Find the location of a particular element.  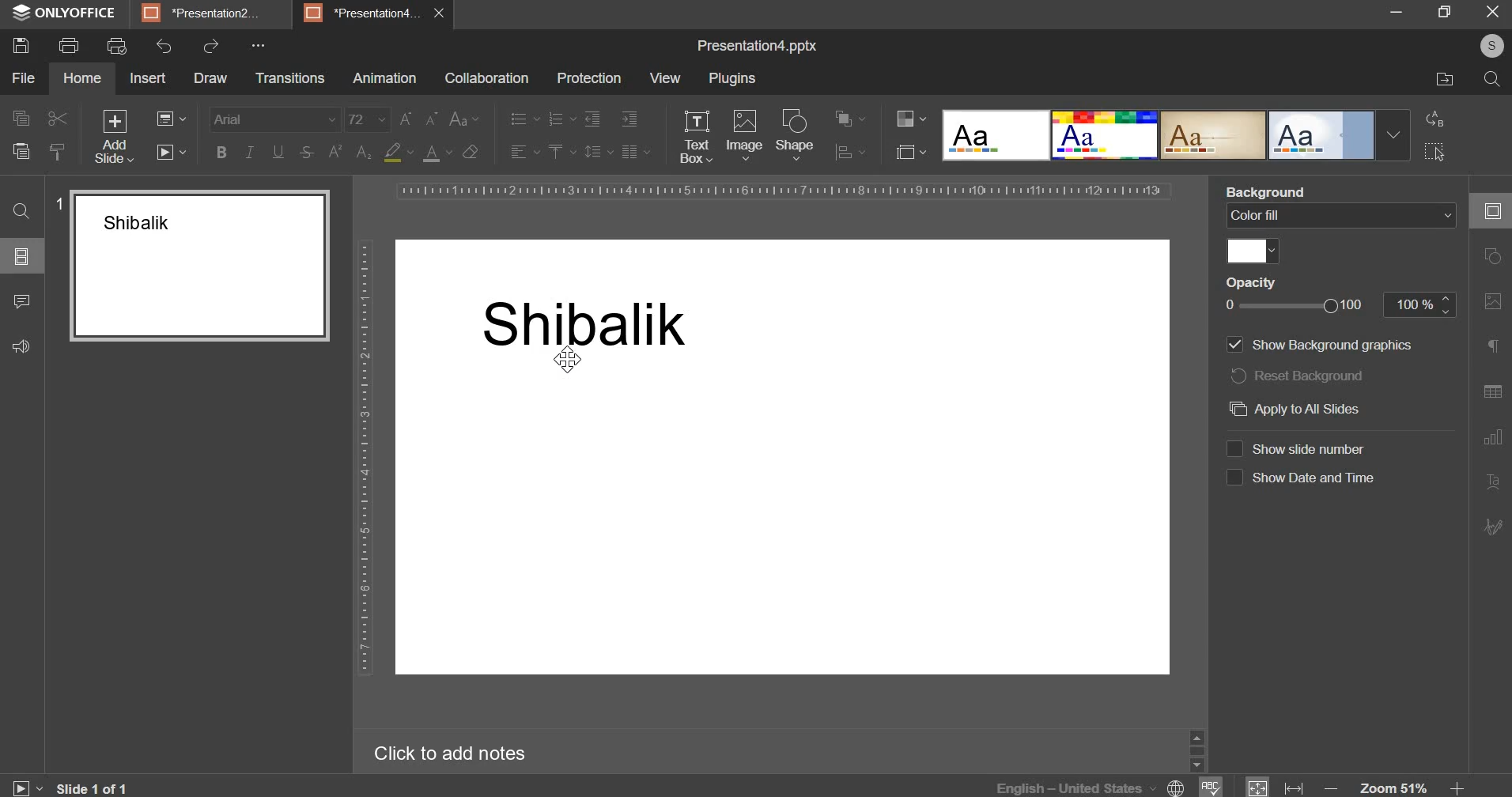

Presentation4 is located at coordinates (365, 11).